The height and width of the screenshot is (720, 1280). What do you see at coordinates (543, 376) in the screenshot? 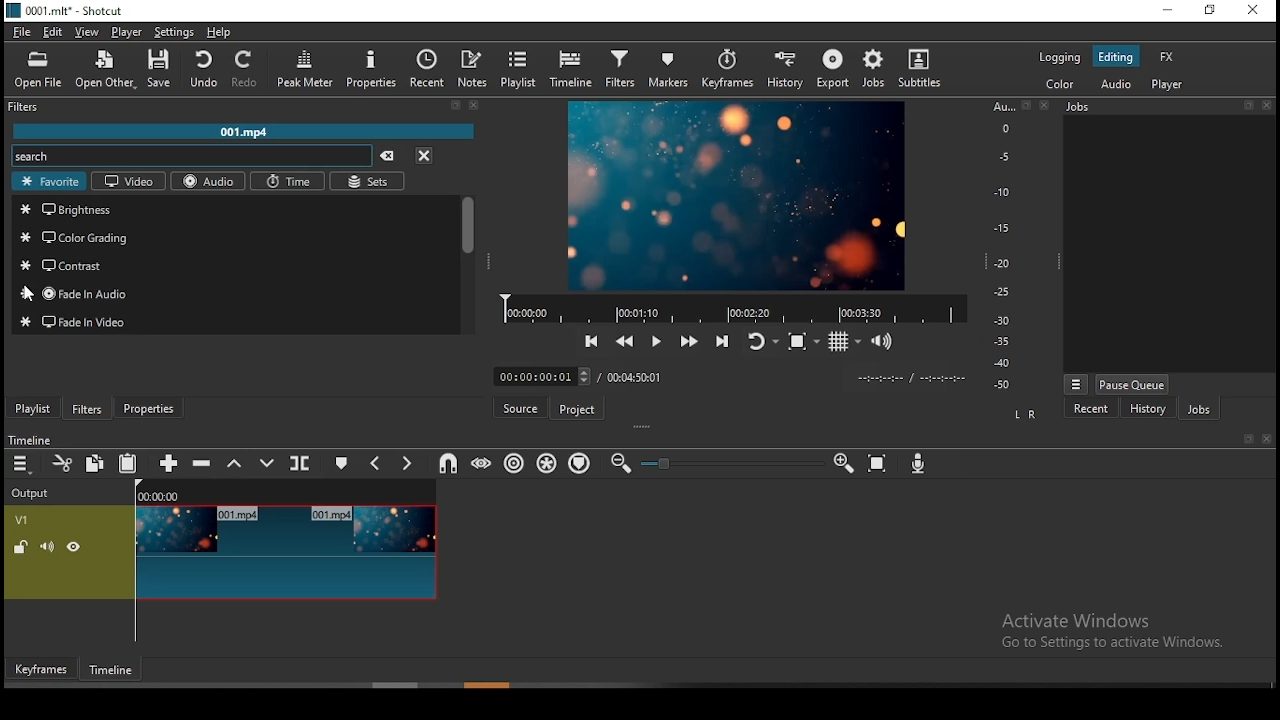
I see `elapsed time` at bounding box center [543, 376].